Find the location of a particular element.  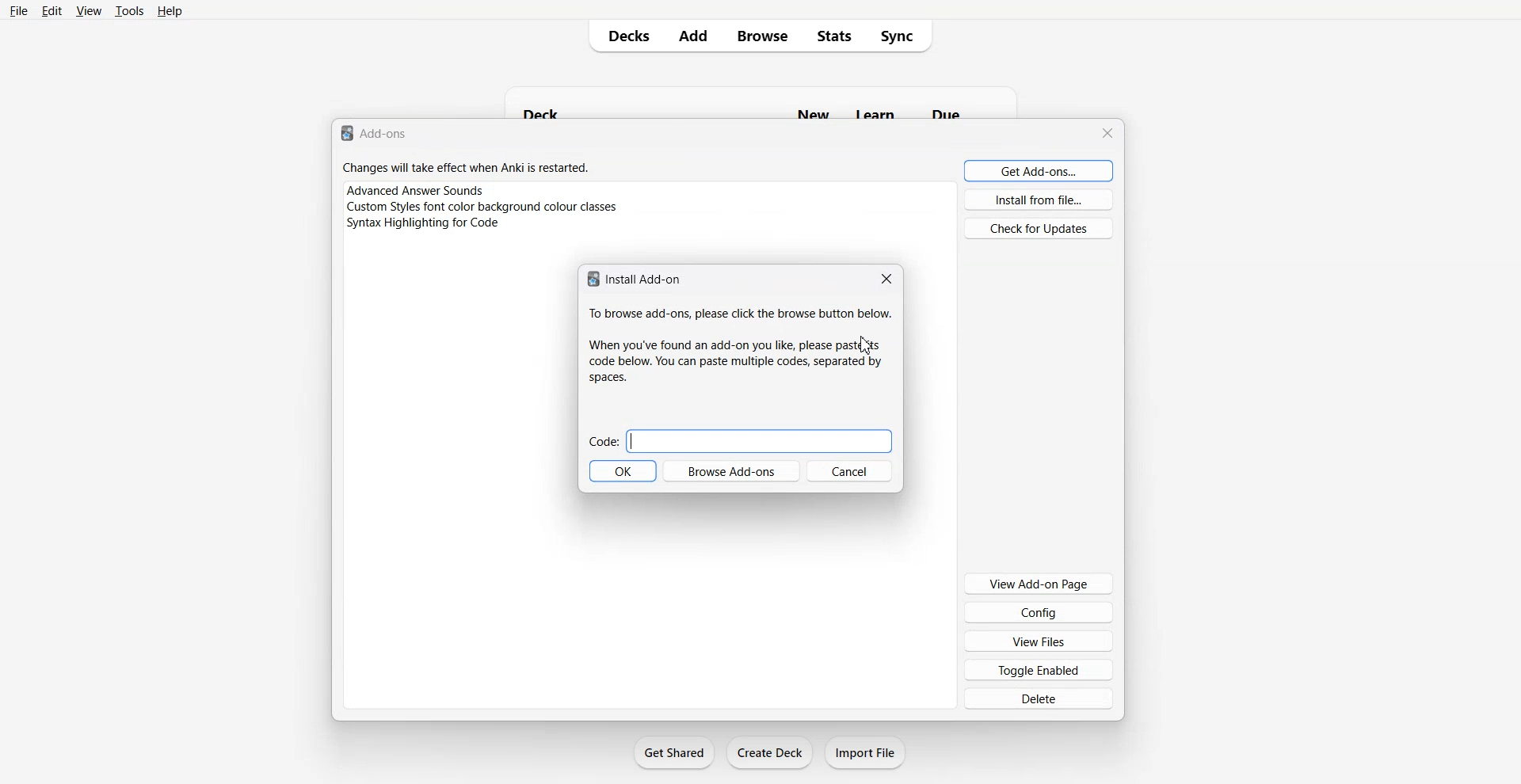

Add is located at coordinates (693, 36).